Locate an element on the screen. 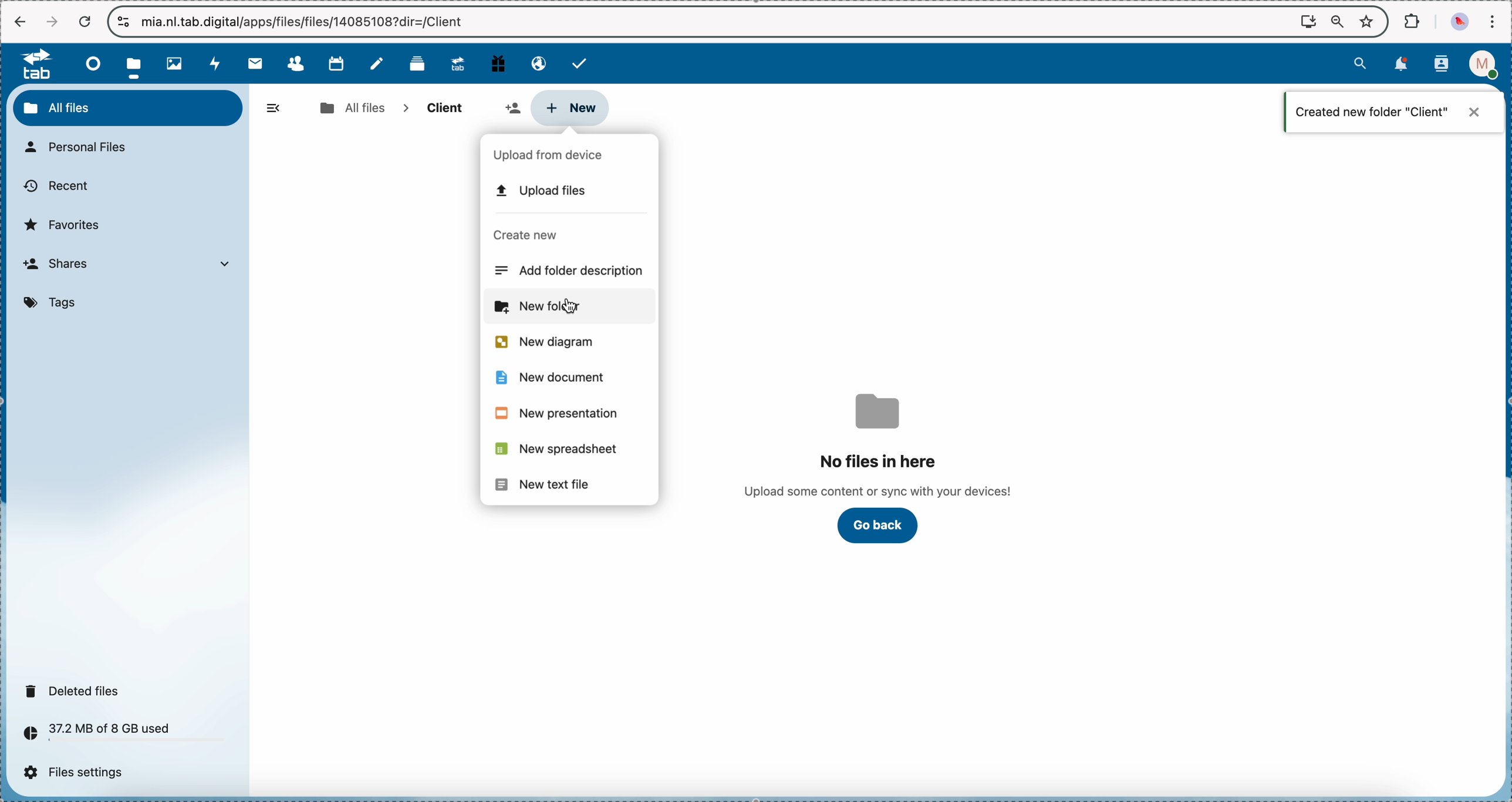 The height and width of the screenshot is (802, 1512). email is located at coordinates (536, 62).